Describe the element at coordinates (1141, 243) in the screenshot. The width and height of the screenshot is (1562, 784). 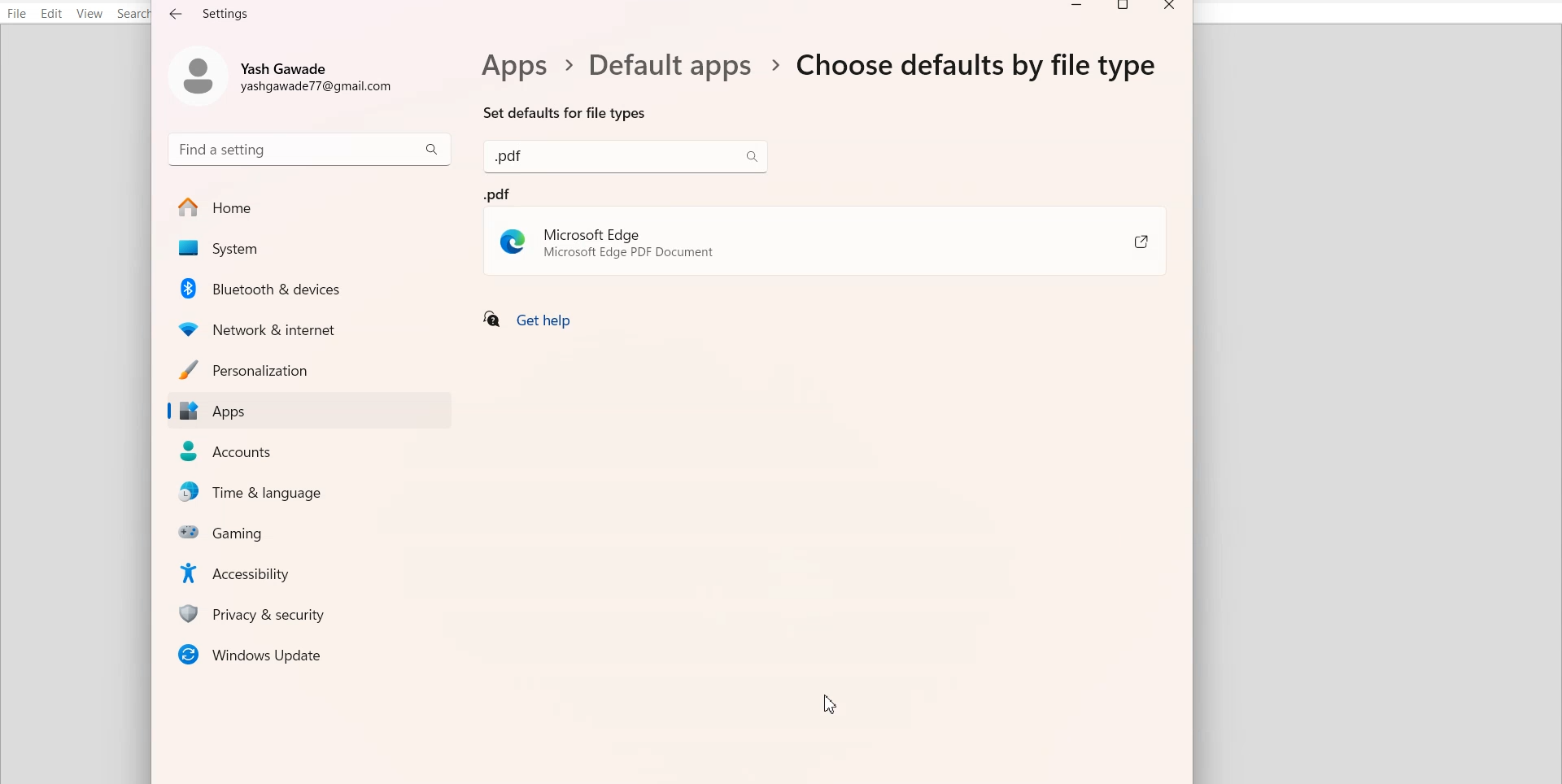
I see `Share` at that location.